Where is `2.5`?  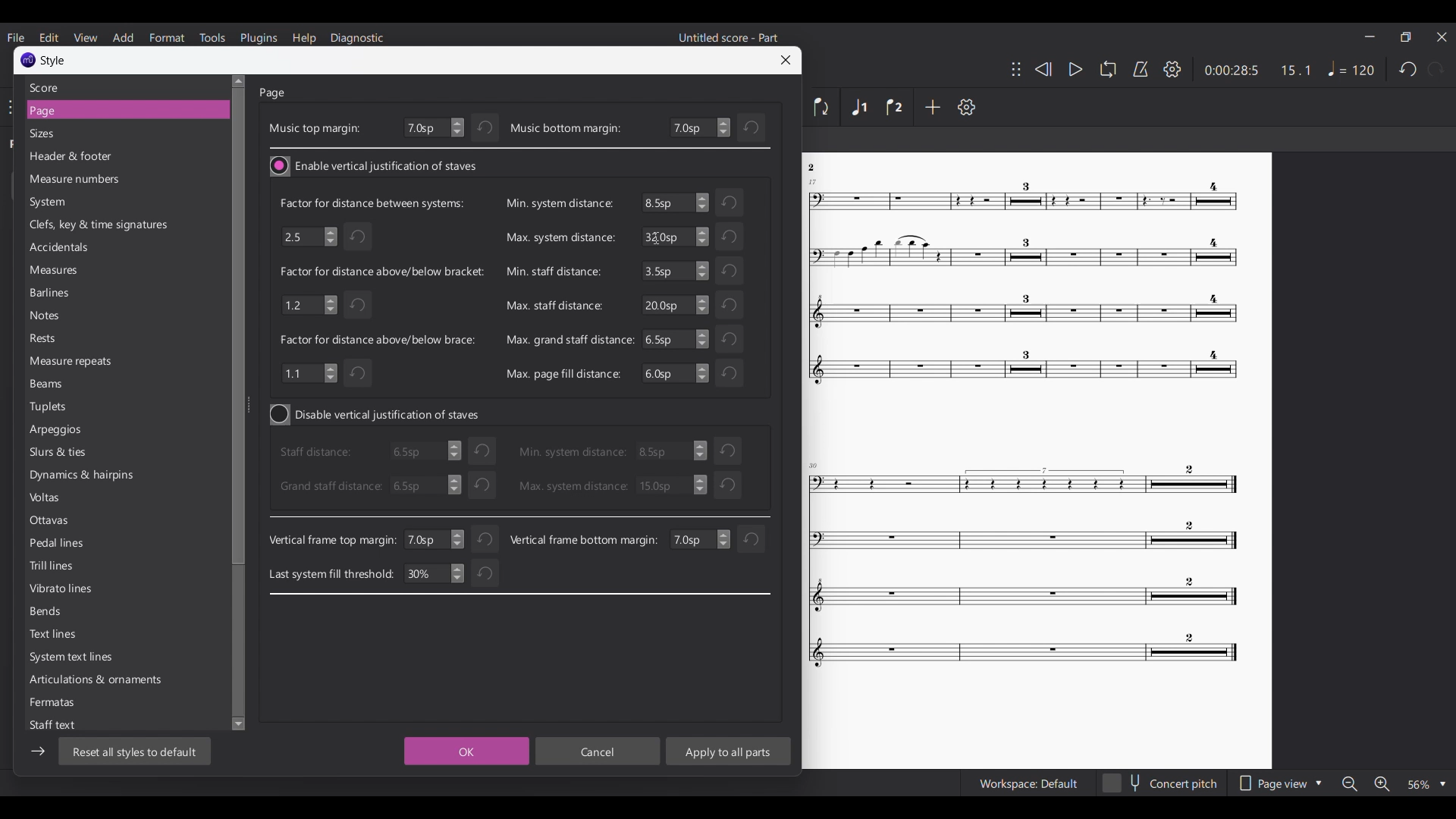
2.5 is located at coordinates (308, 235).